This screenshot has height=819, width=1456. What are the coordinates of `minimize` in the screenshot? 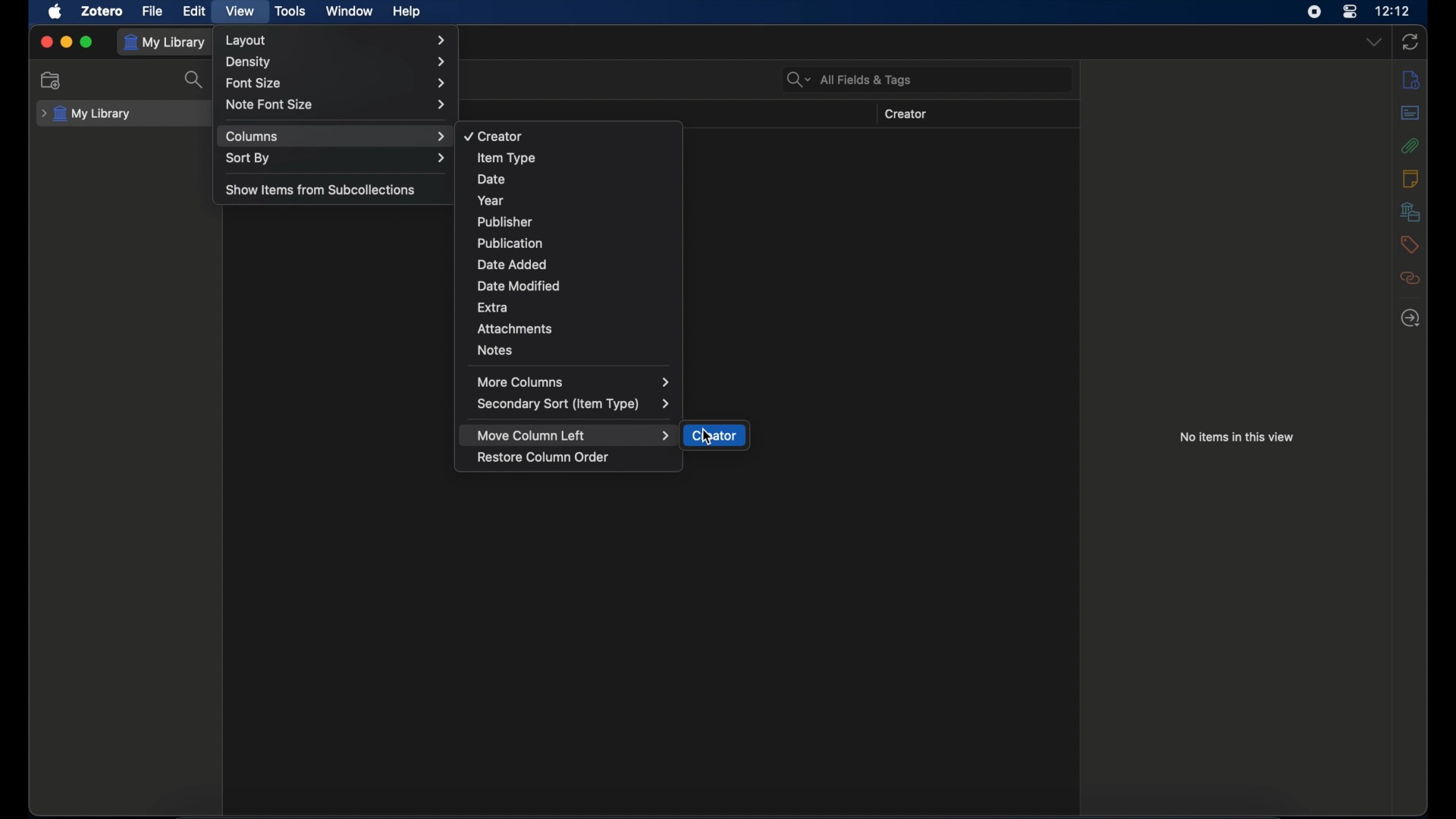 It's located at (67, 42).